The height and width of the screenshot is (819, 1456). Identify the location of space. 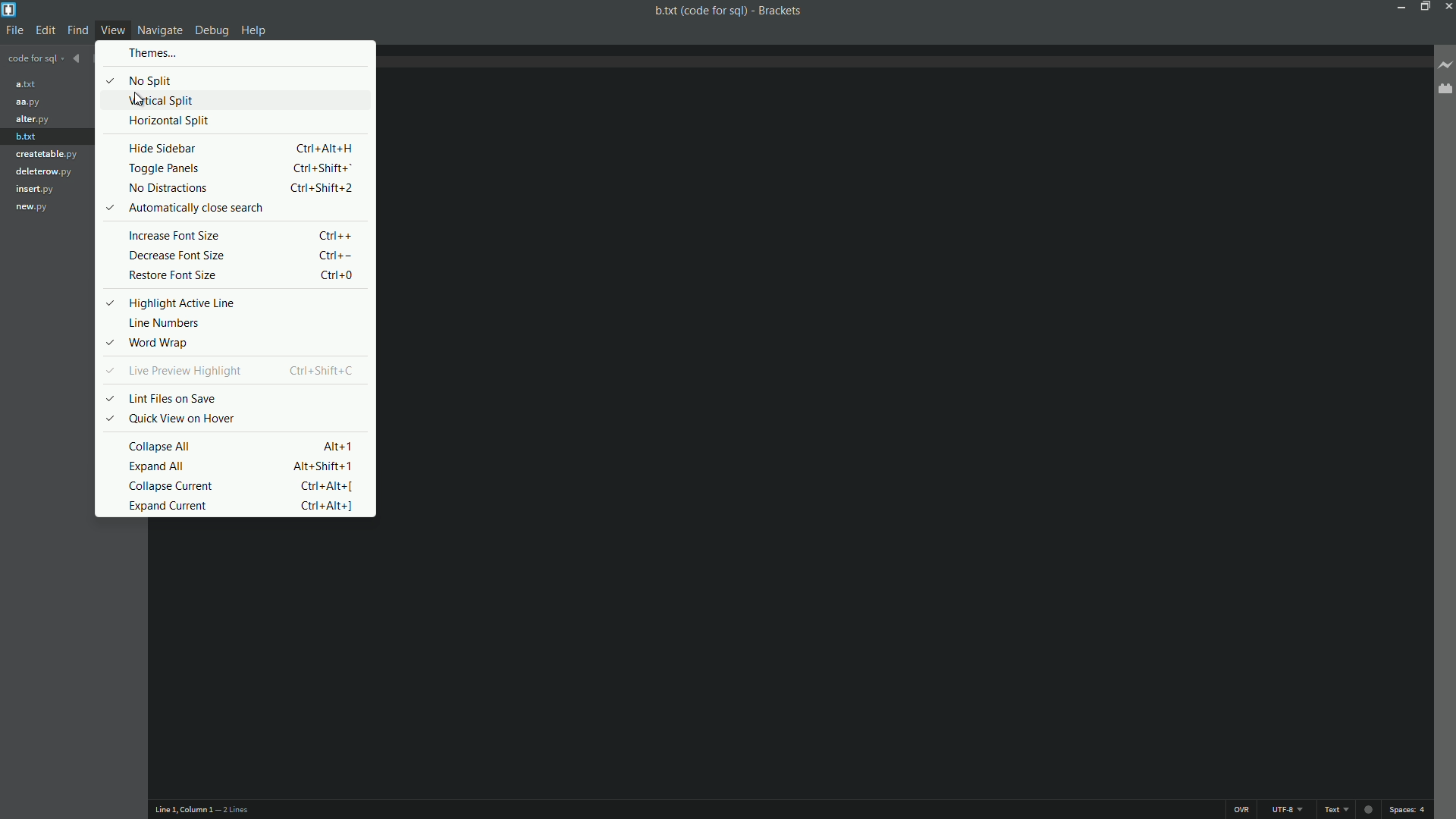
(1410, 808).